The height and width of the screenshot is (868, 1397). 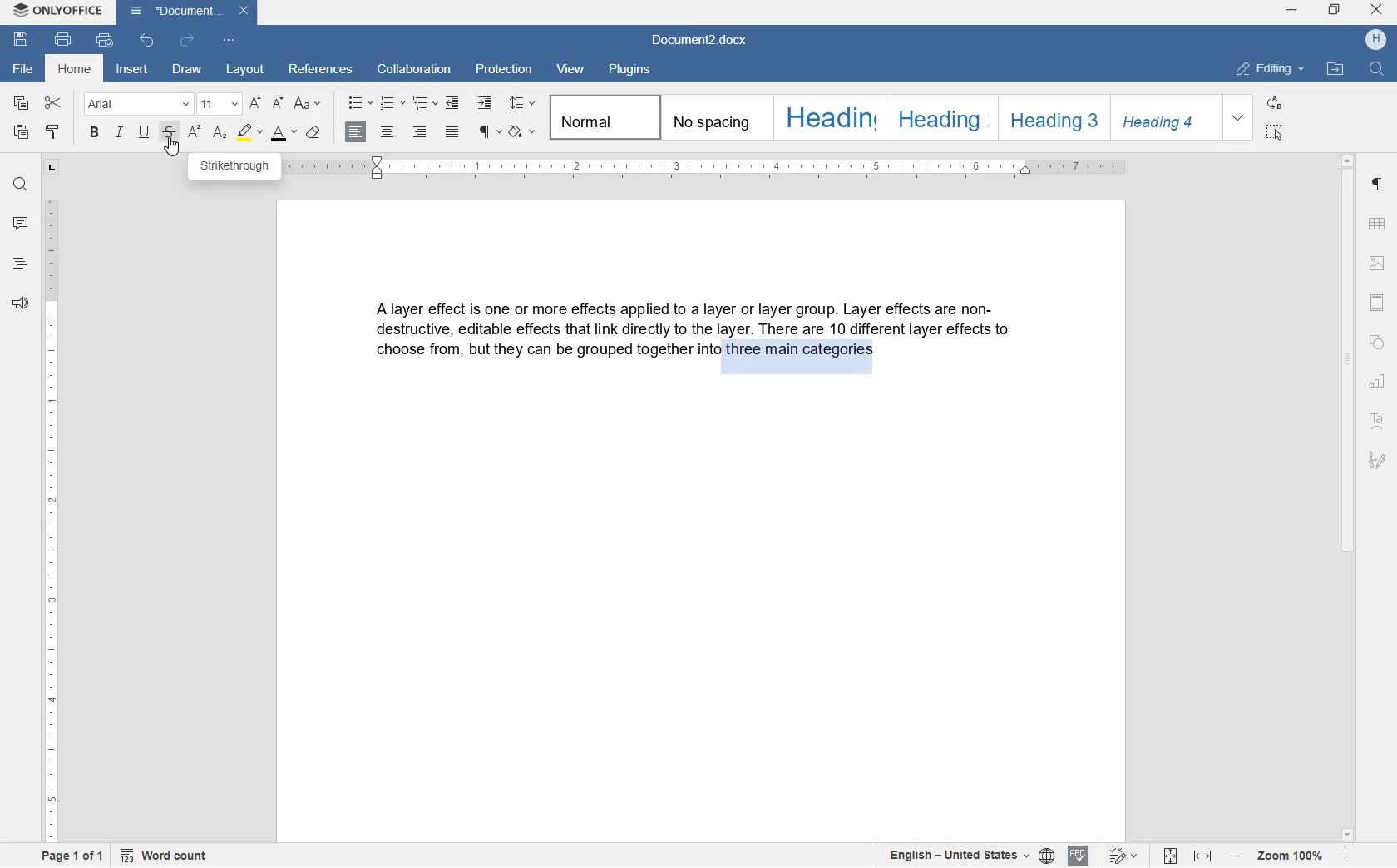 I want to click on editing, so click(x=1273, y=70).